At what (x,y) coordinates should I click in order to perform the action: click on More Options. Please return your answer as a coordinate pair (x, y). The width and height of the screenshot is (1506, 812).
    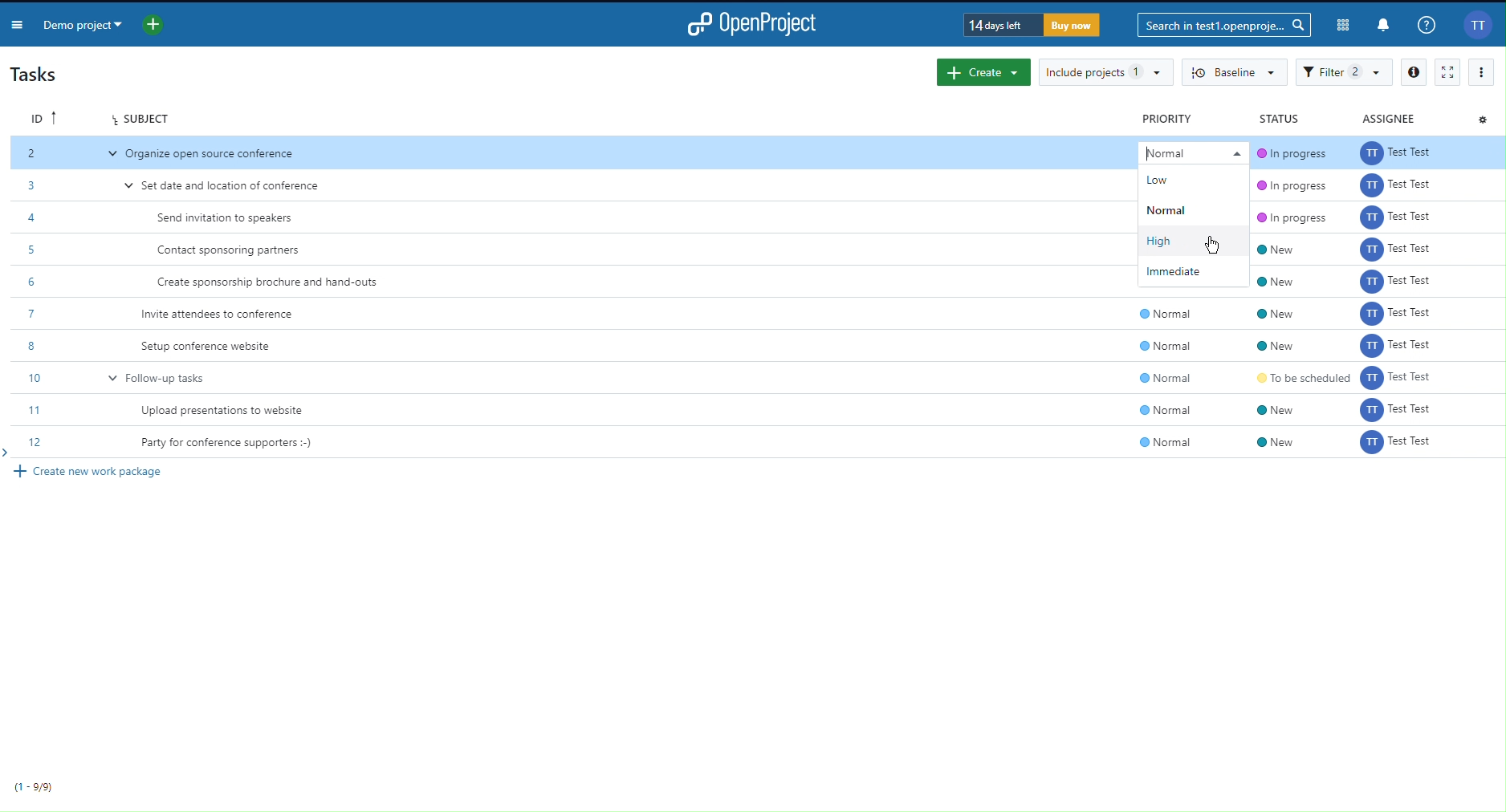
    Looking at the image, I should click on (16, 22).